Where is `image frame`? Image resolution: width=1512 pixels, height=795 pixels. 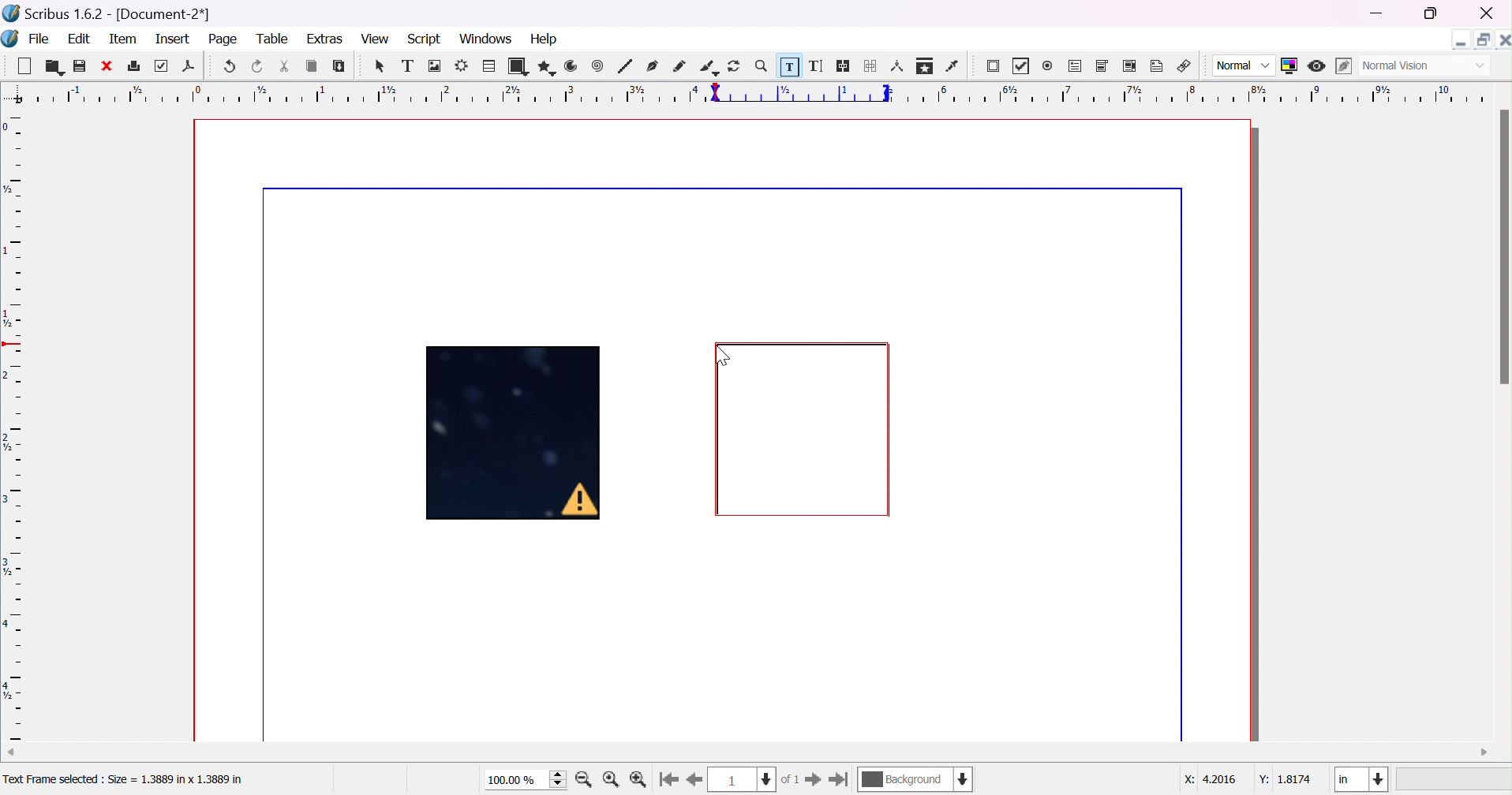 image frame is located at coordinates (436, 66).